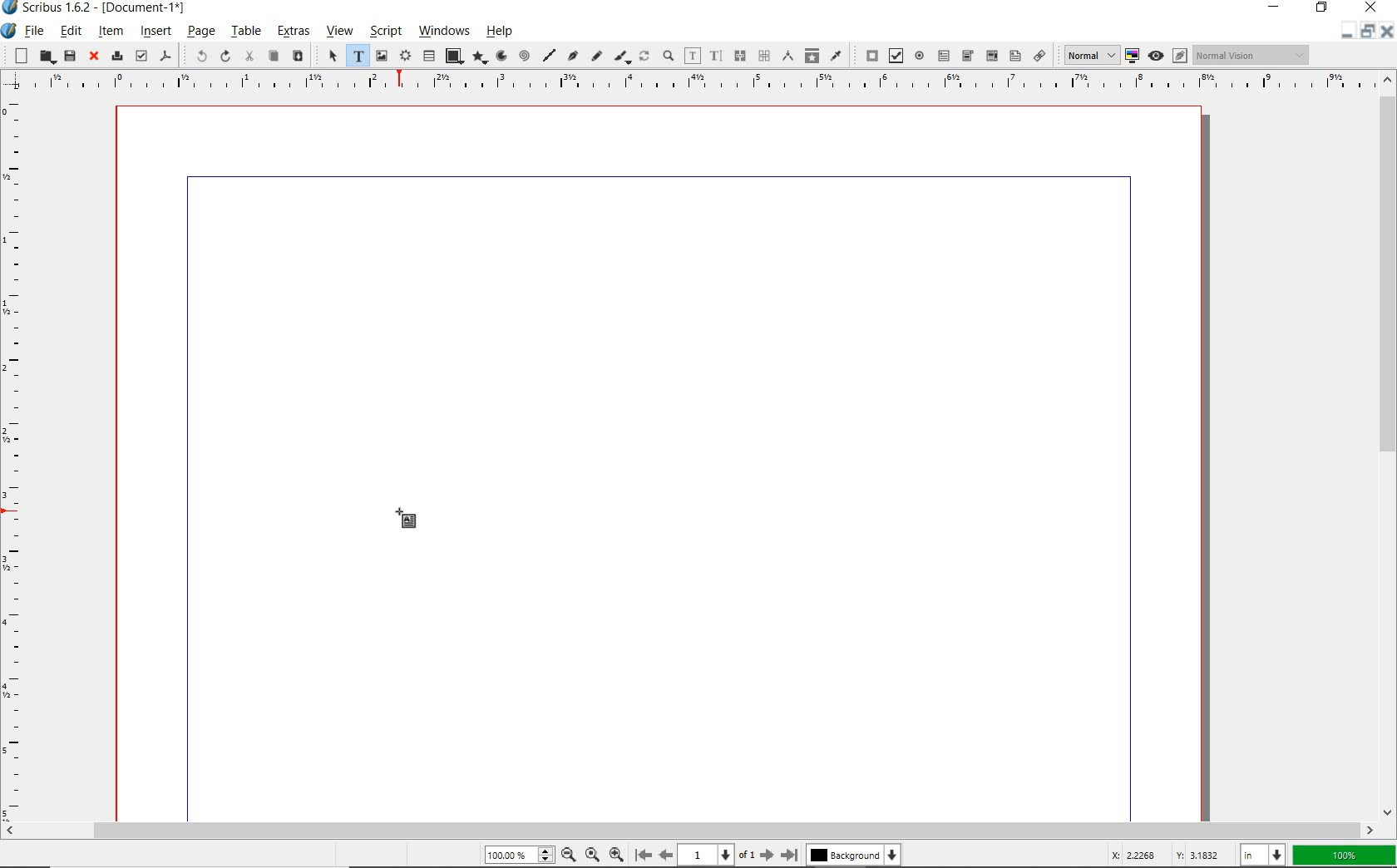  I want to click on windows, so click(445, 32).